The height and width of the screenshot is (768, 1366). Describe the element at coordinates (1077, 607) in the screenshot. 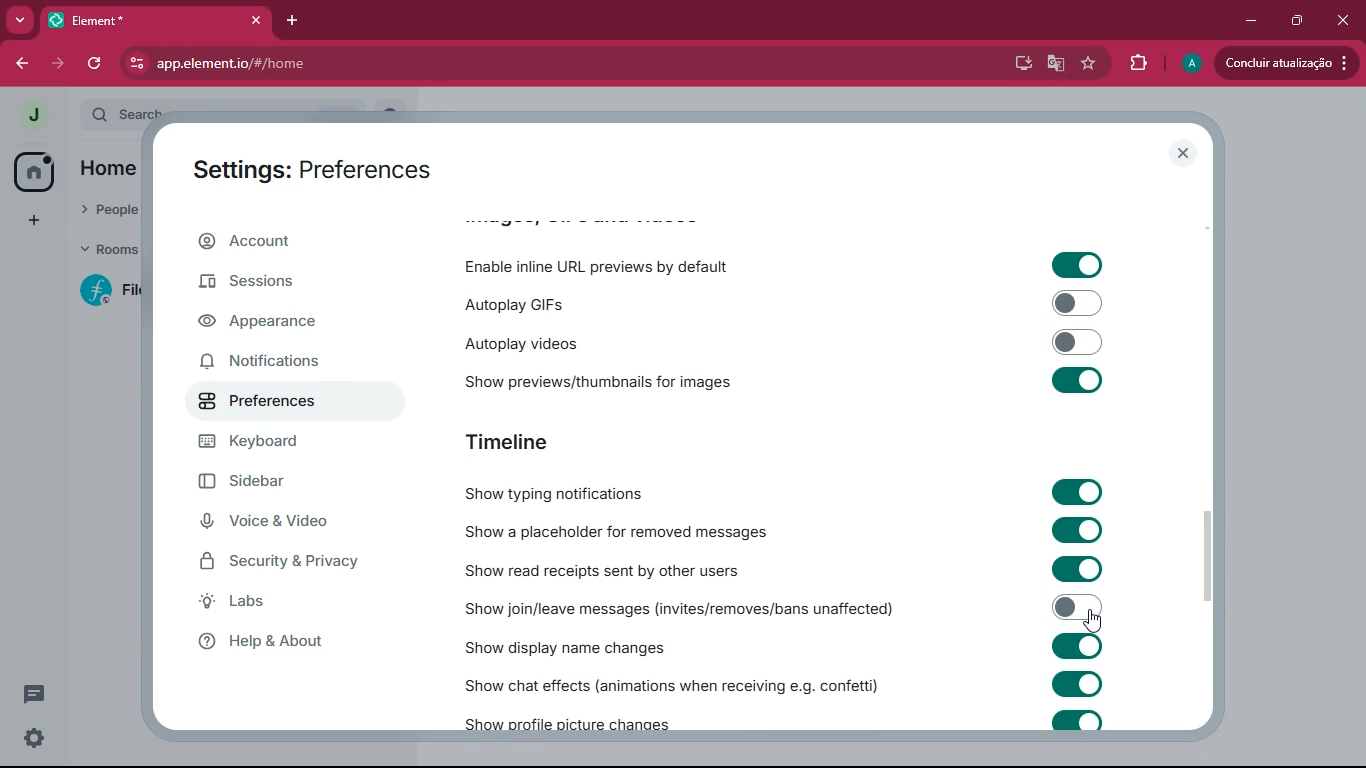

I see `toggled off` at that location.